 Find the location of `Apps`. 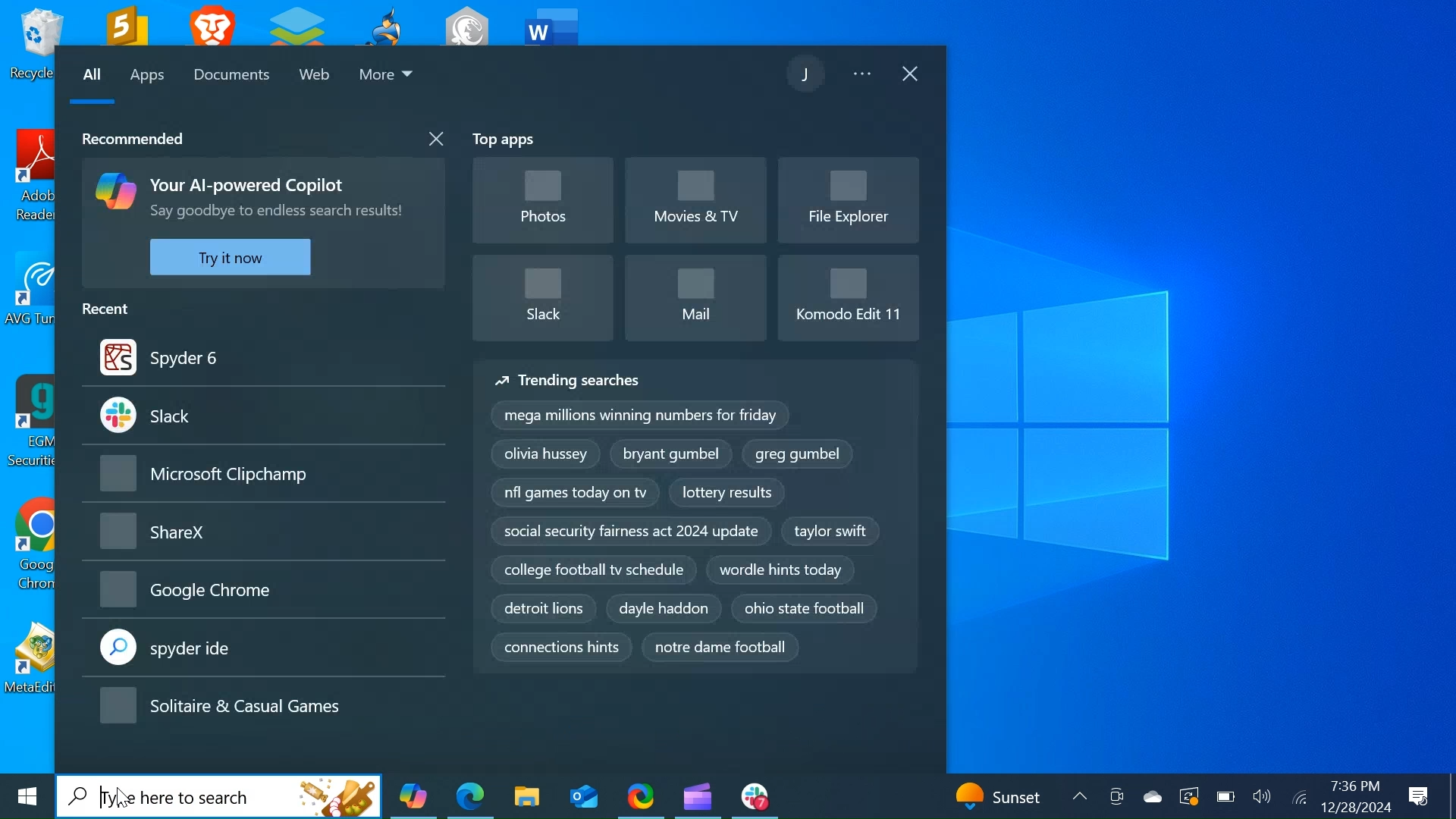

Apps is located at coordinates (147, 78).